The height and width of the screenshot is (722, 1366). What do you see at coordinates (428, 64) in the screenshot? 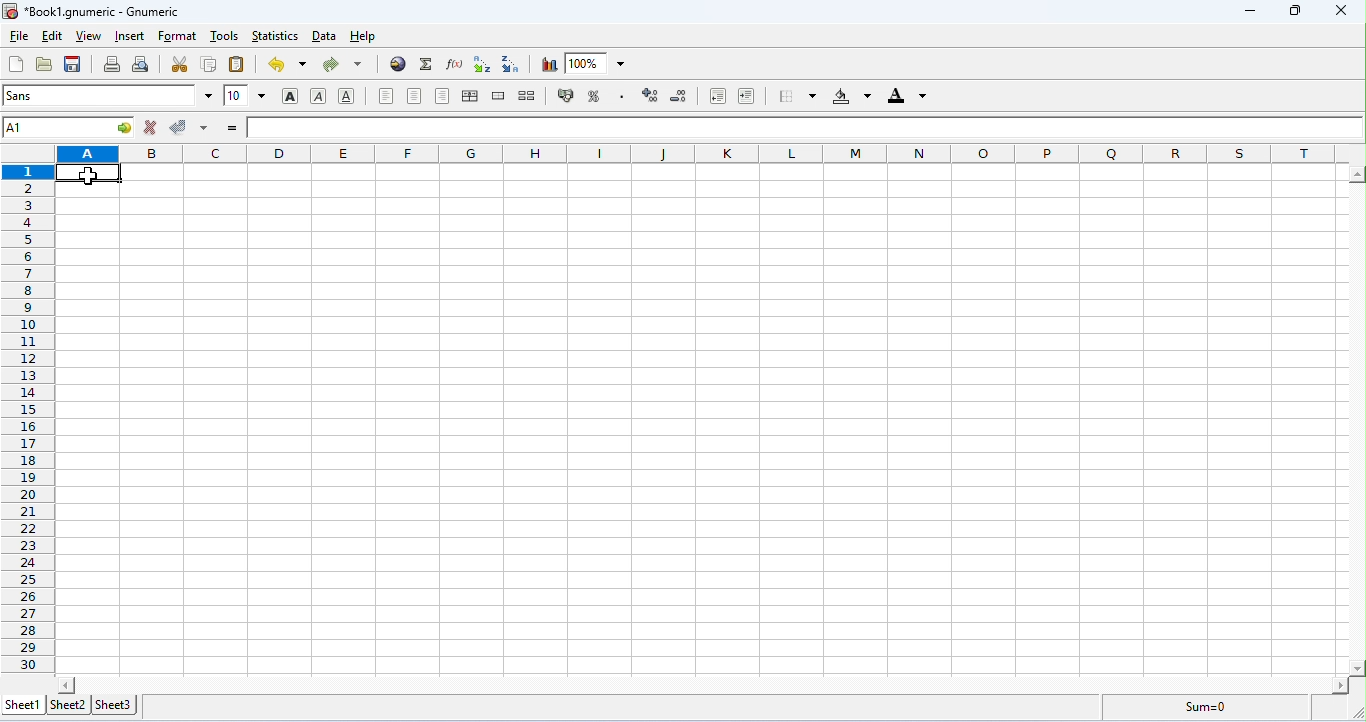
I see `sum ` at bounding box center [428, 64].